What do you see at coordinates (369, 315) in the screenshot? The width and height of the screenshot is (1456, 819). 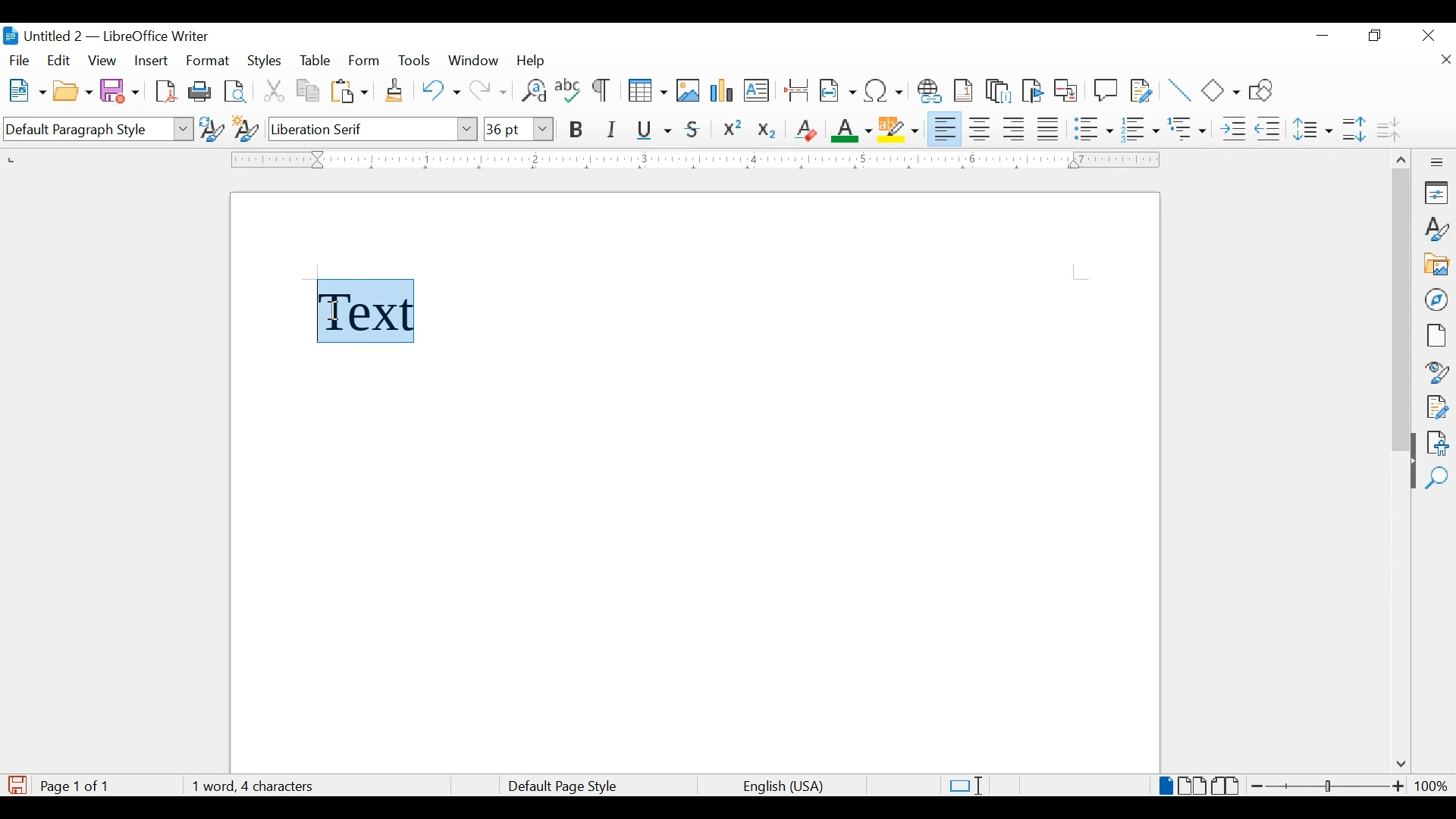 I see `text` at bounding box center [369, 315].